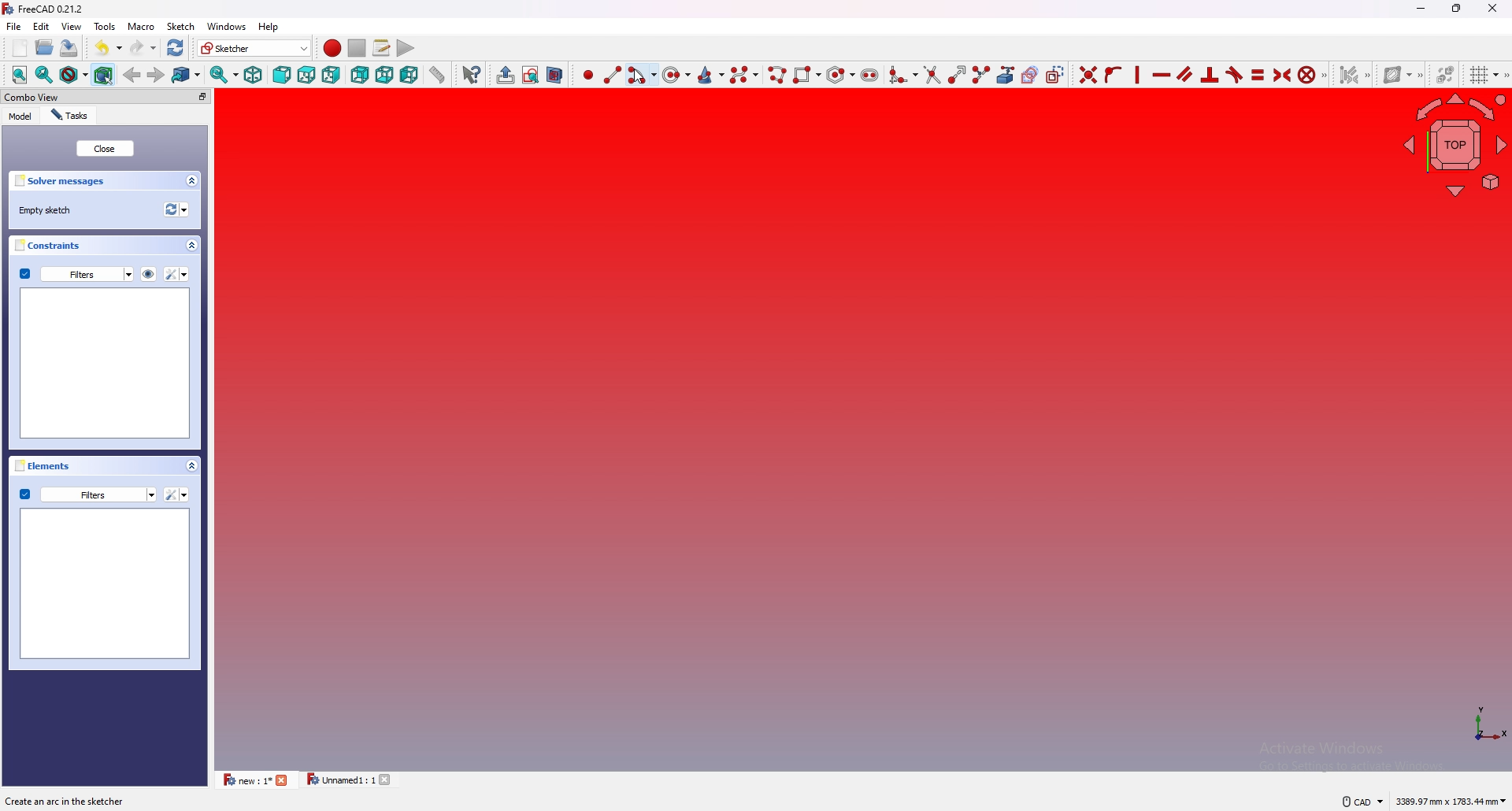 The width and height of the screenshot is (1512, 811). What do you see at coordinates (1114, 75) in the screenshot?
I see `constraint point onto object` at bounding box center [1114, 75].